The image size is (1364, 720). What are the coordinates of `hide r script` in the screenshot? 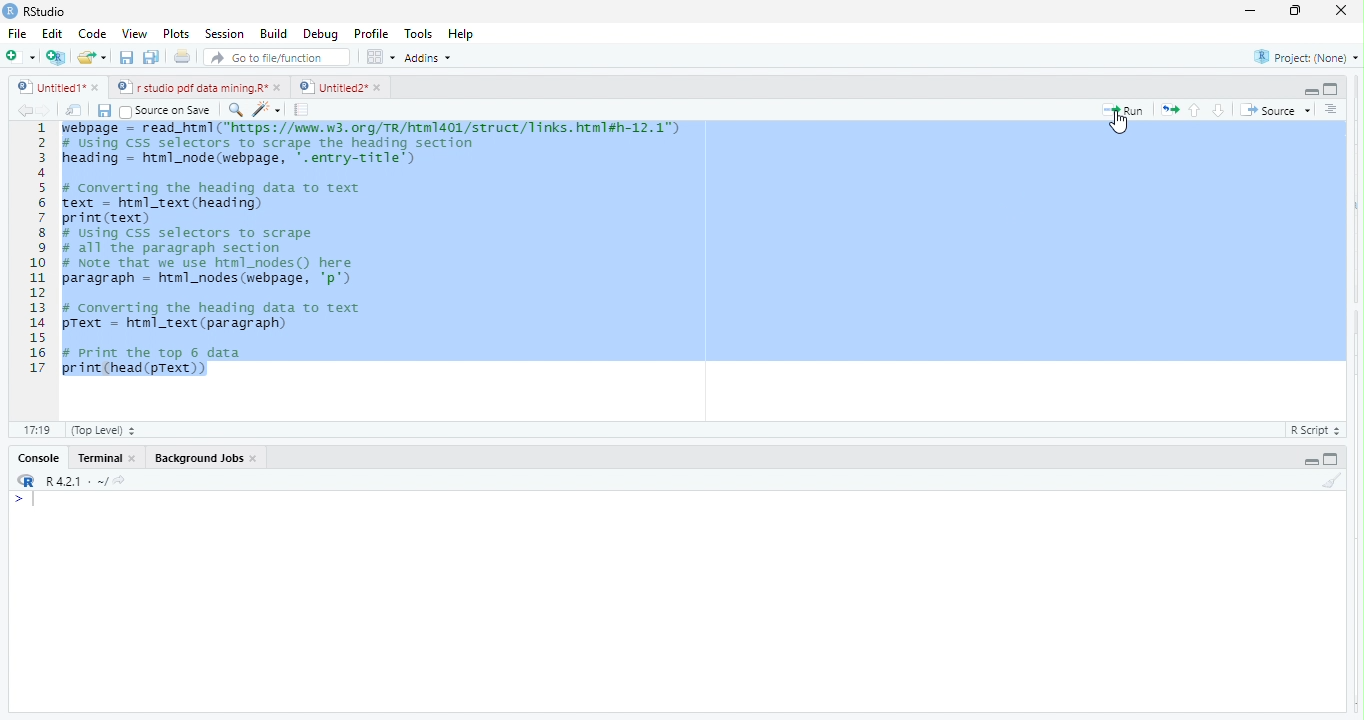 It's located at (1310, 461).